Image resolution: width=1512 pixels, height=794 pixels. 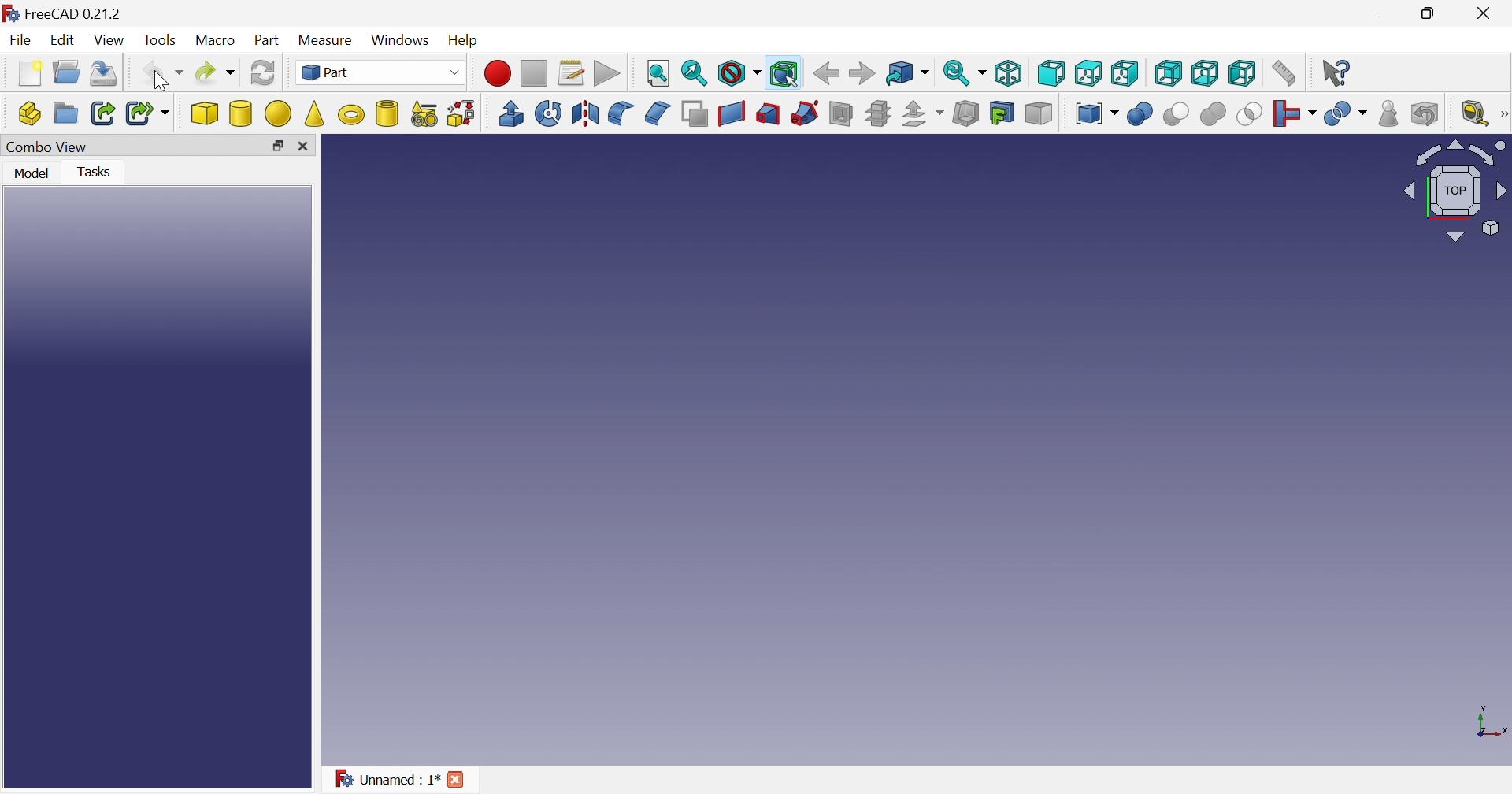 What do you see at coordinates (352, 114) in the screenshot?
I see `Donut` at bounding box center [352, 114].